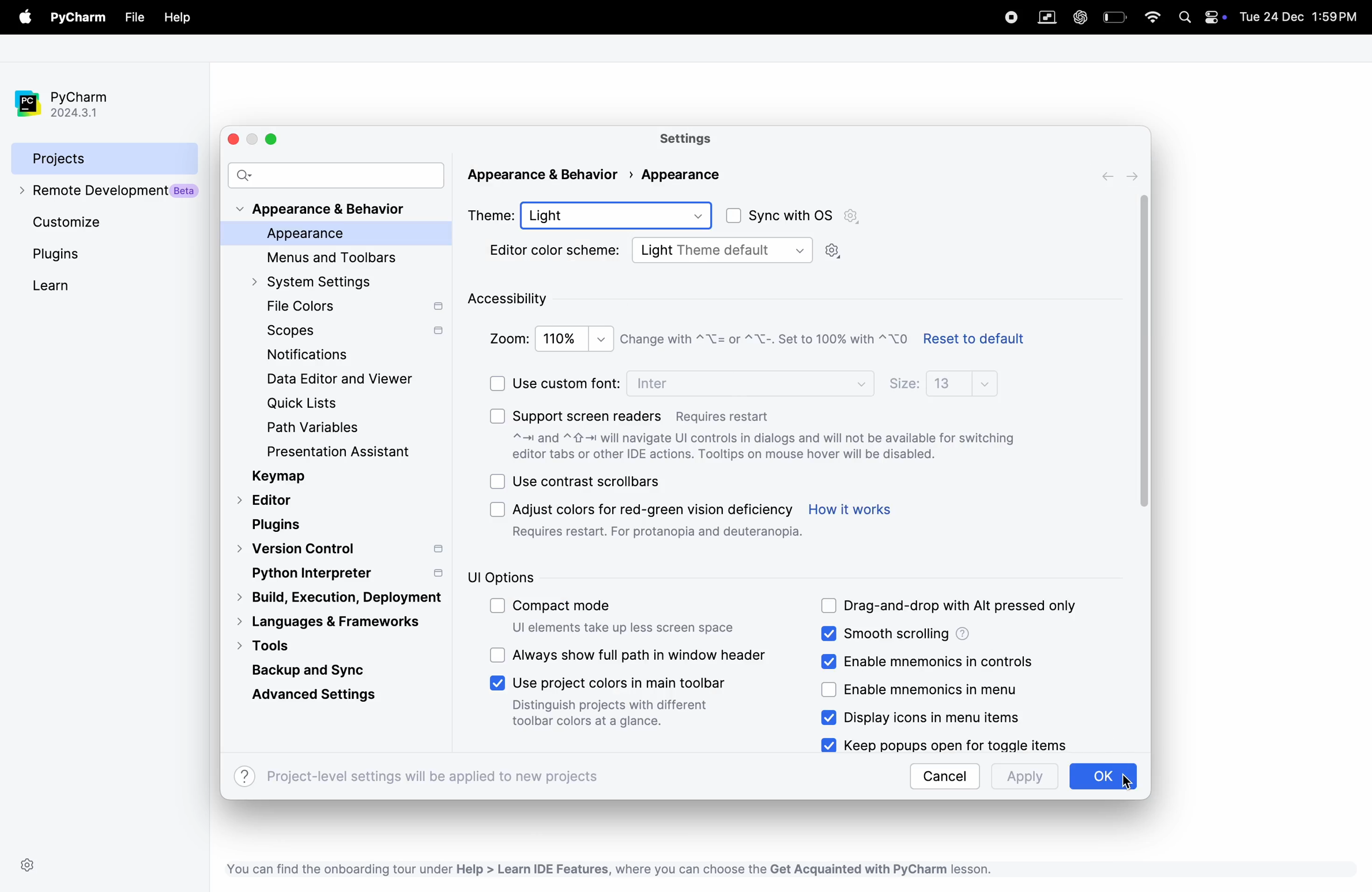  What do you see at coordinates (497, 653) in the screenshot?
I see `check boxes` at bounding box center [497, 653].